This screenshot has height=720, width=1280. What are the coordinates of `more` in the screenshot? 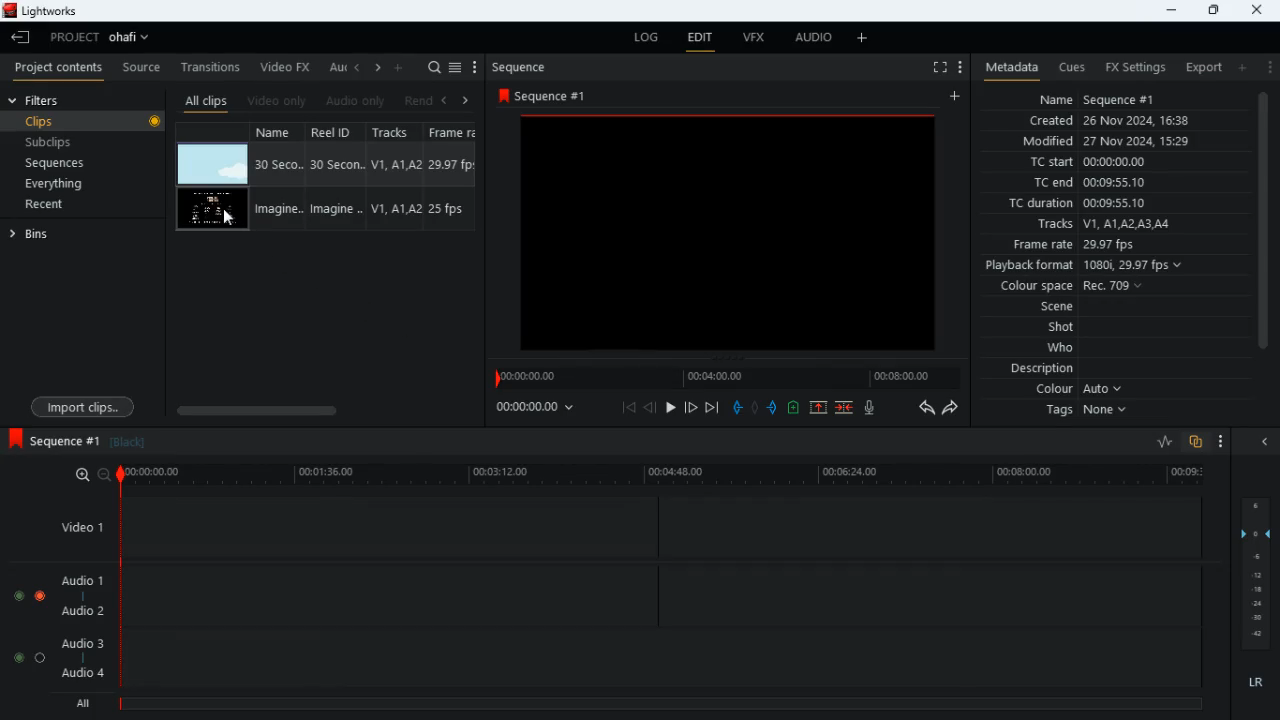 It's located at (865, 37).